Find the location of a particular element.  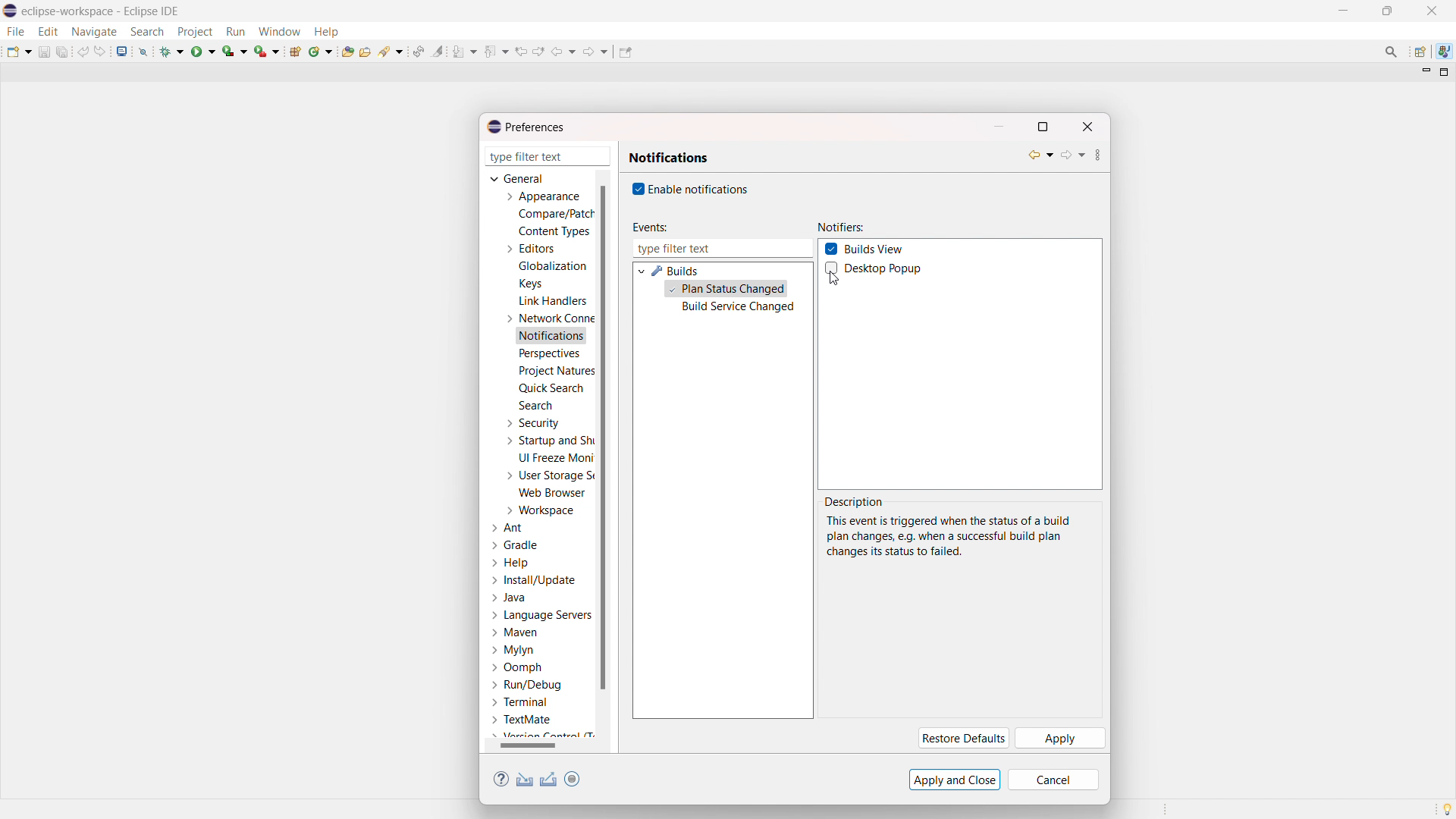

export is located at coordinates (549, 780).